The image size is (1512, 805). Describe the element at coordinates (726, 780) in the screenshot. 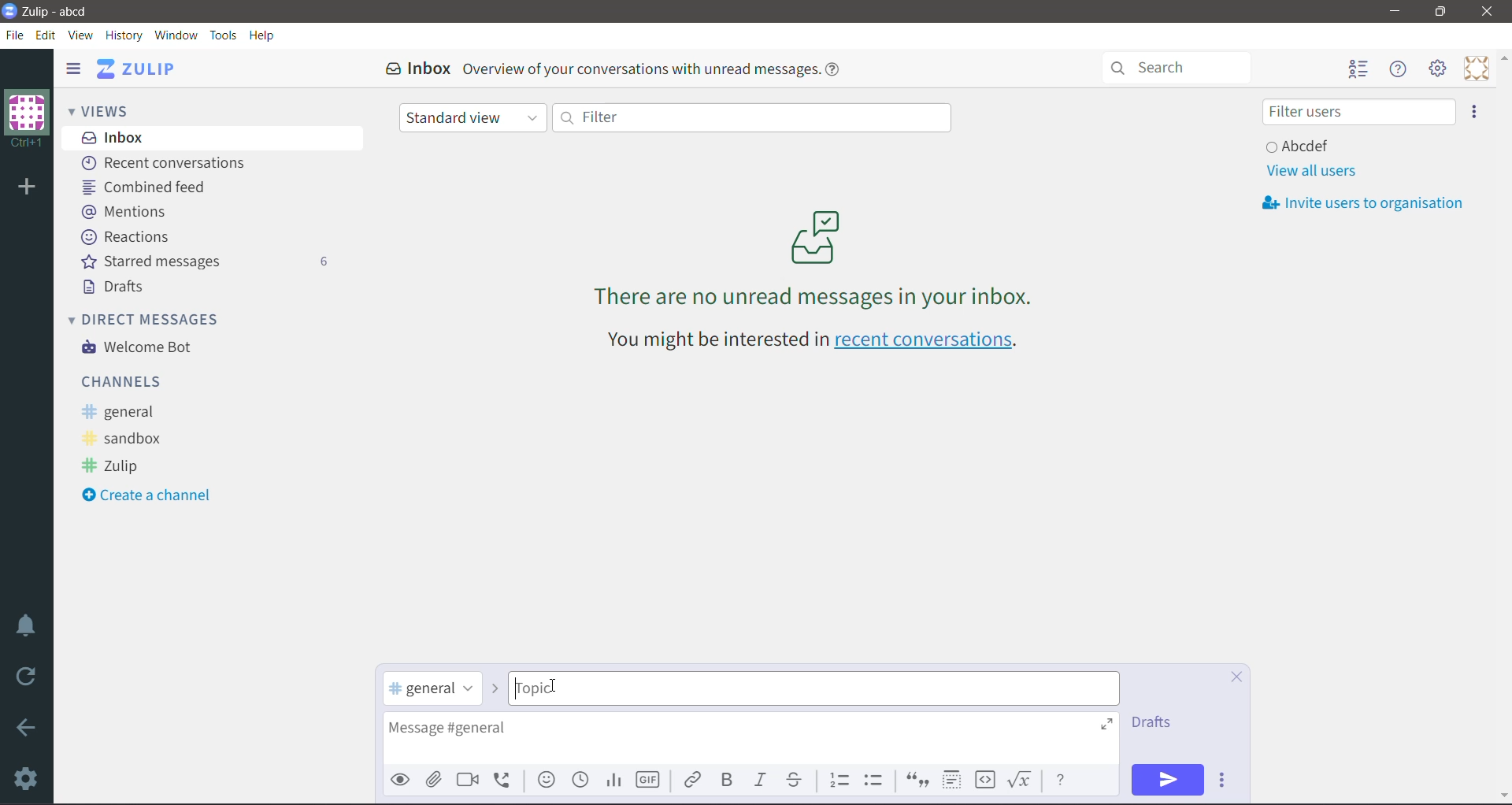

I see `Bold` at that location.